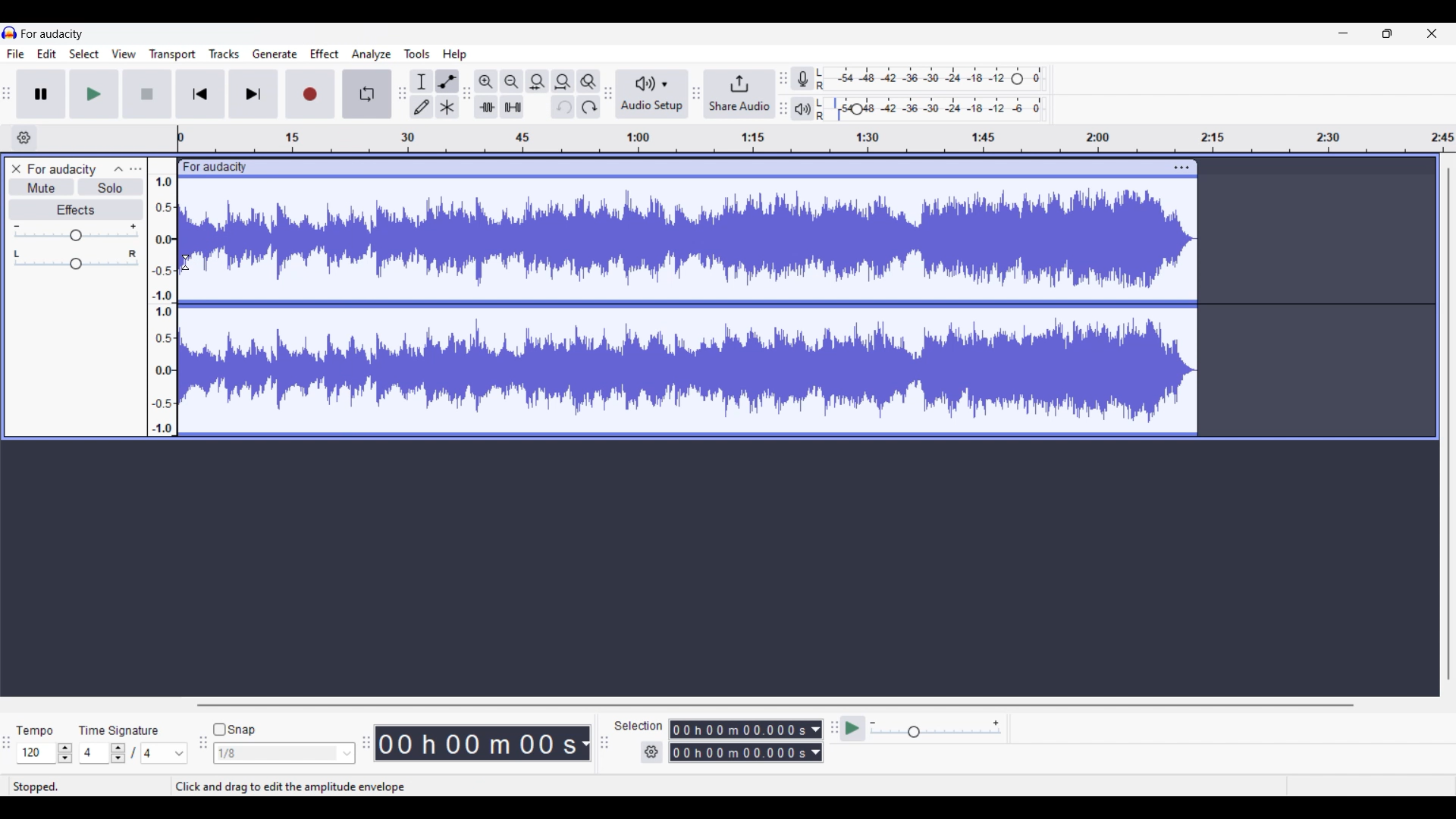 This screenshot has width=1456, height=819. I want to click on Tracks, so click(224, 54).